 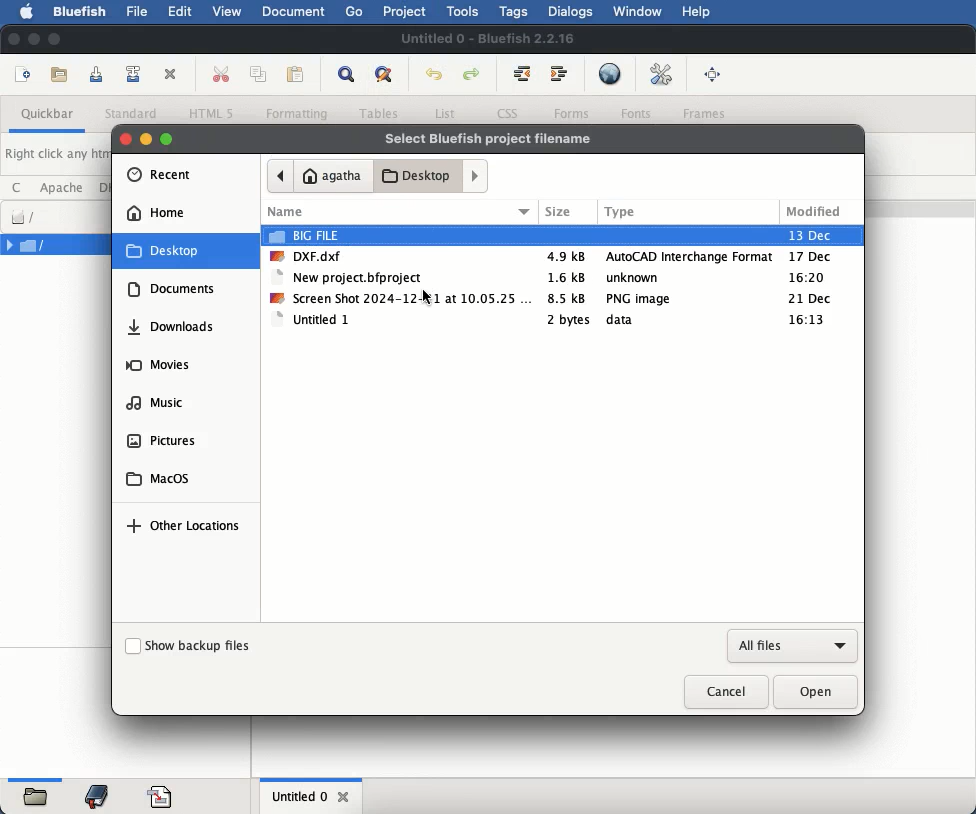 What do you see at coordinates (99, 796) in the screenshot?
I see `bookmark` at bounding box center [99, 796].